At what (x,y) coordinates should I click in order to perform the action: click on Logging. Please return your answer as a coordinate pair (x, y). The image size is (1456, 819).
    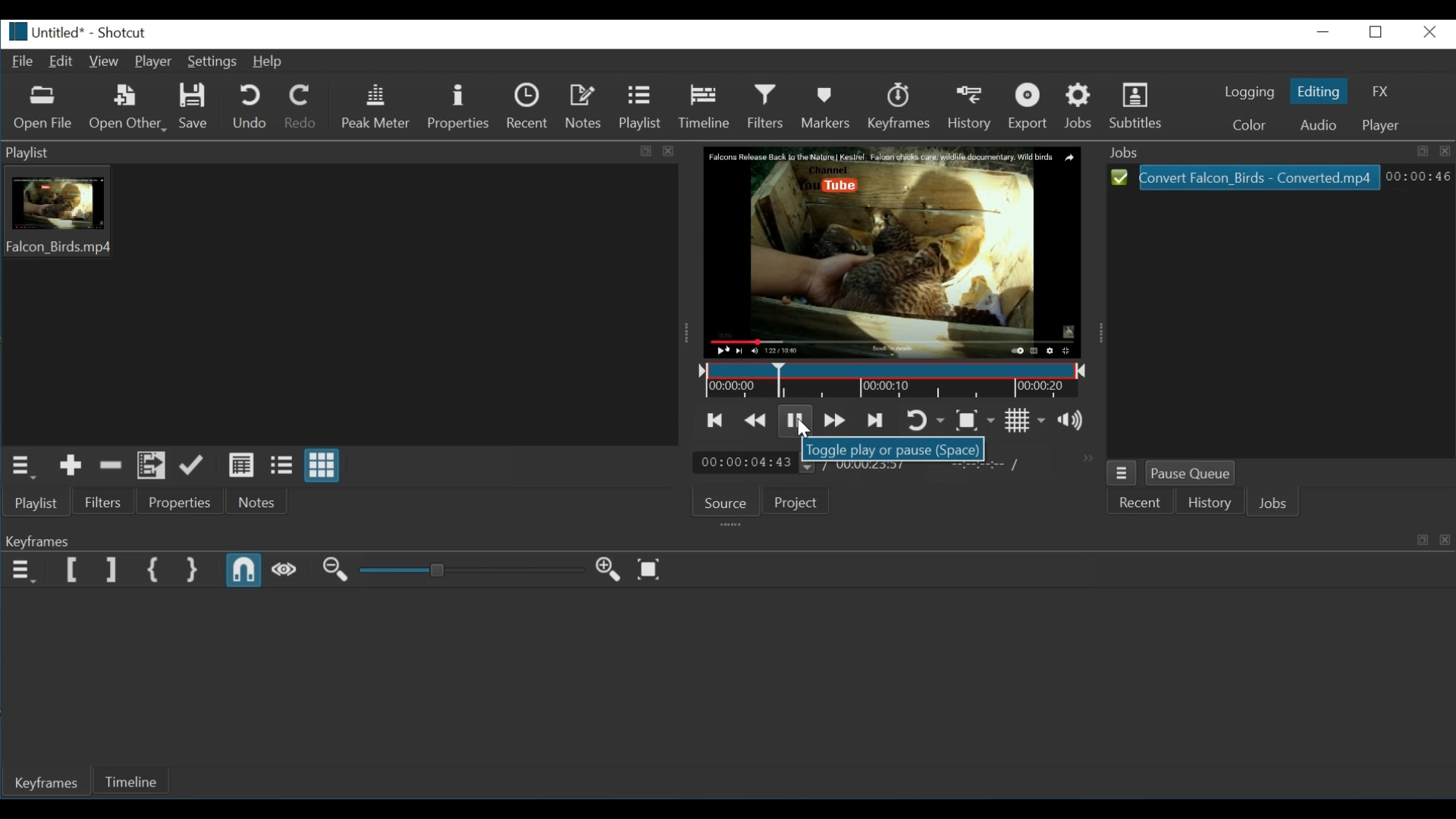
    Looking at the image, I should click on (1250, 93).